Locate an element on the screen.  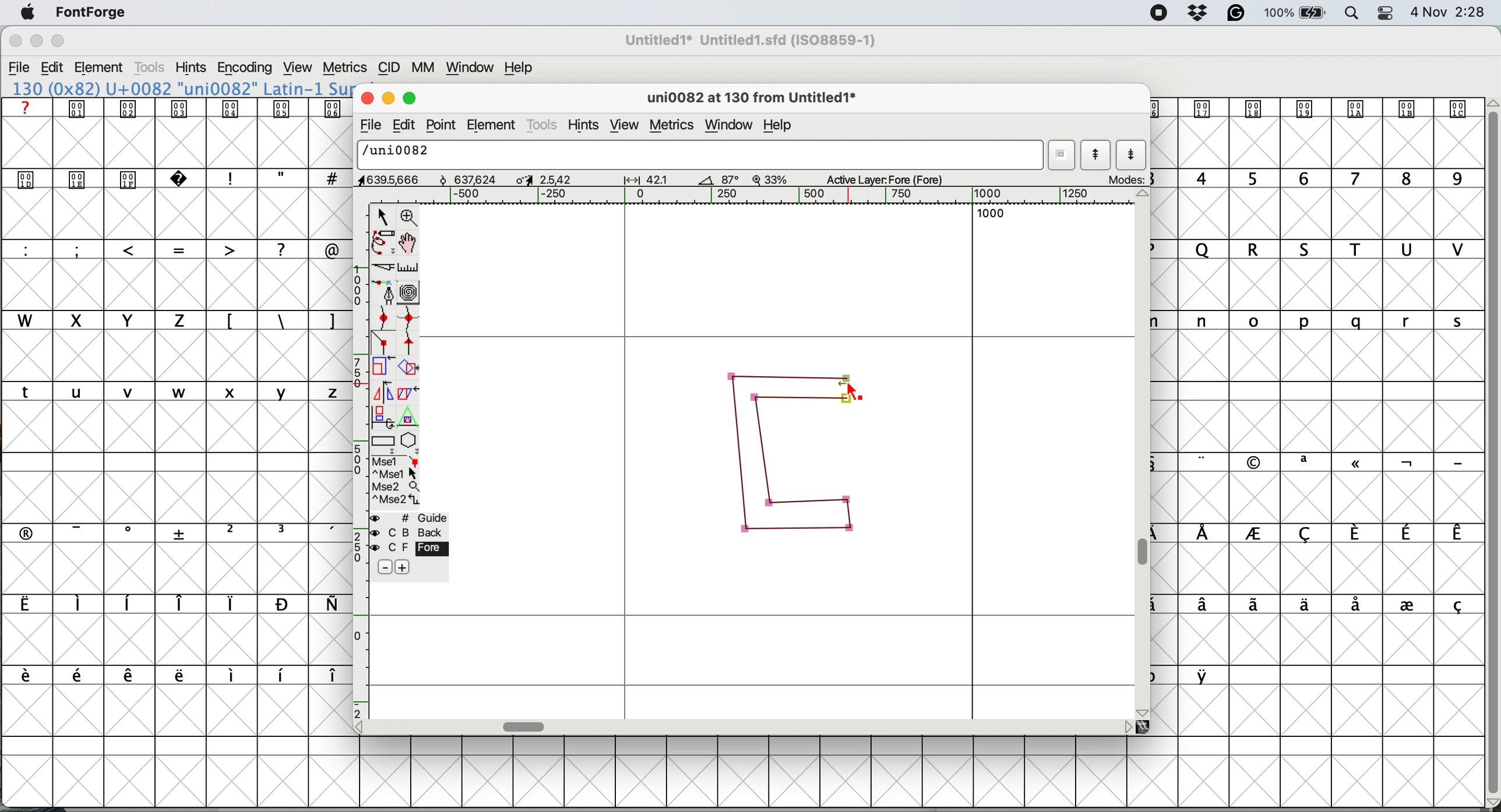
add a tangent point is located at coordinates (410, 343).